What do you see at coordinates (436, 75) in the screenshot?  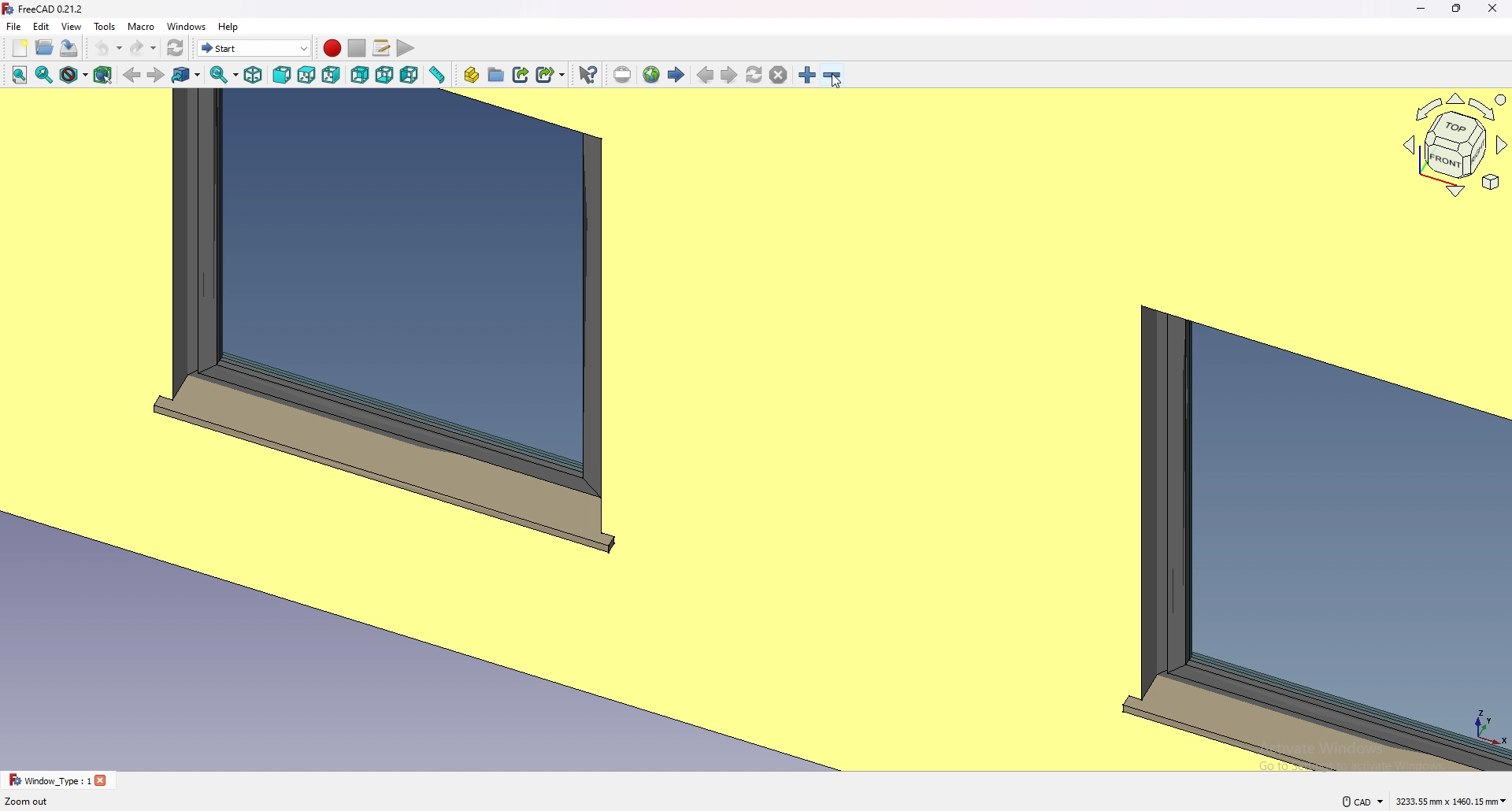 I see `measure distance` at bounding box center [436, 75].